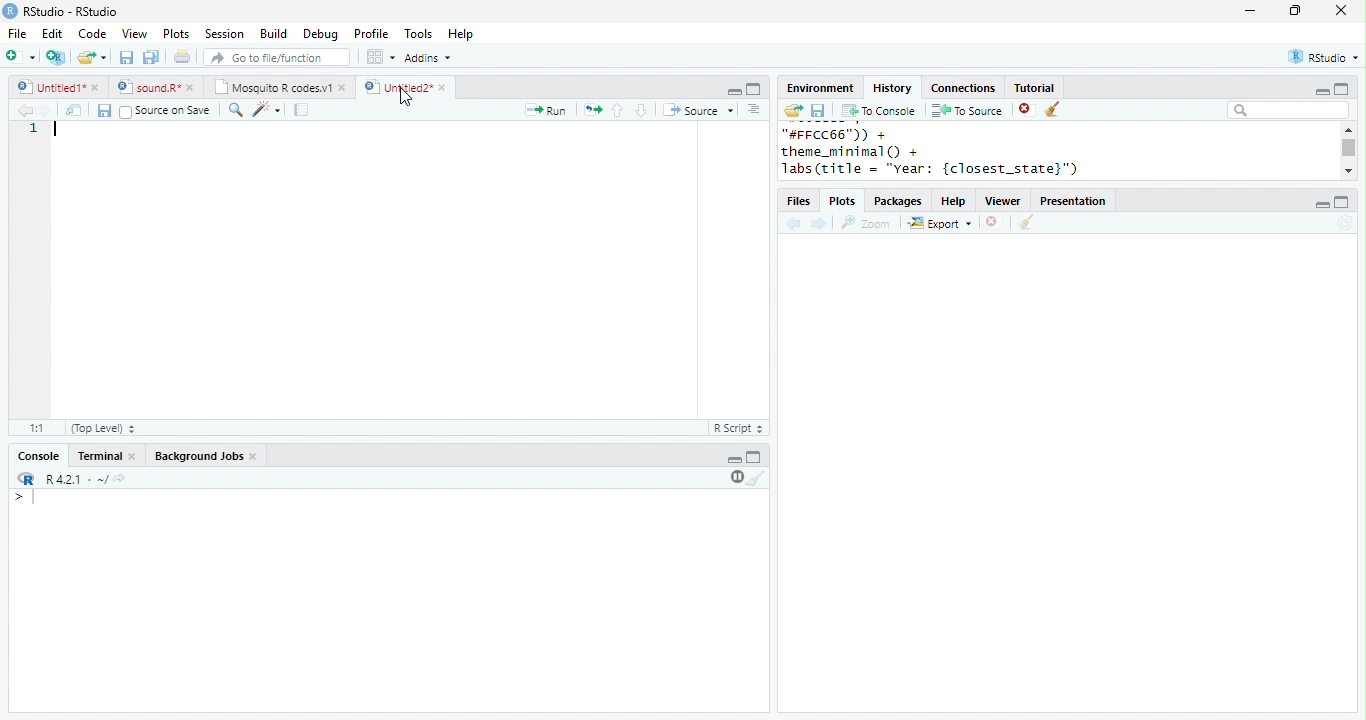 Image resolution: width=1366 pixels, height=720 pixels. What do you see at coordinates (939, 222) in the screenshot?
I see `Export` at bounding box center [939, 222].